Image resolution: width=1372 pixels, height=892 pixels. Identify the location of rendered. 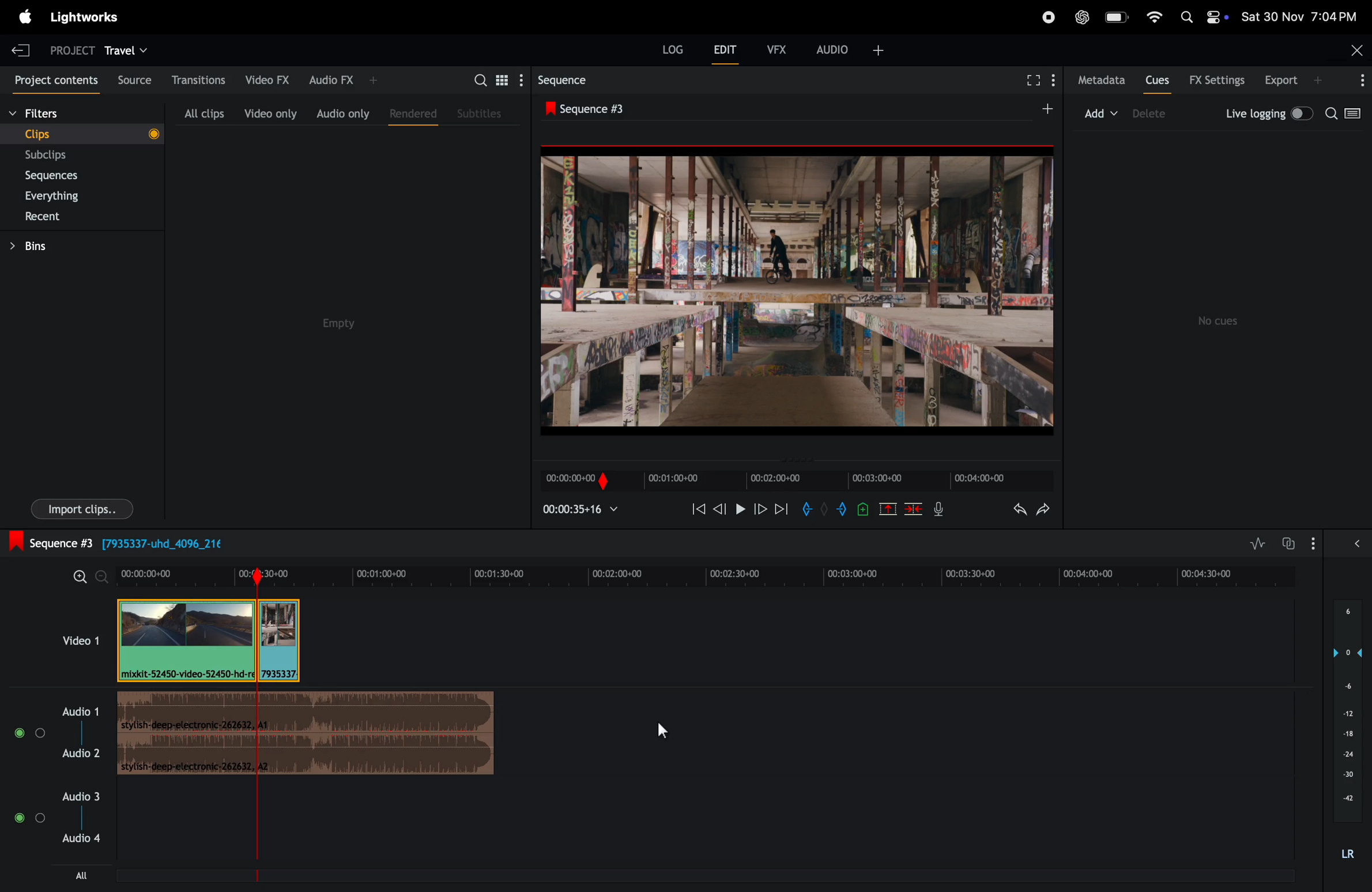
(409, 112).